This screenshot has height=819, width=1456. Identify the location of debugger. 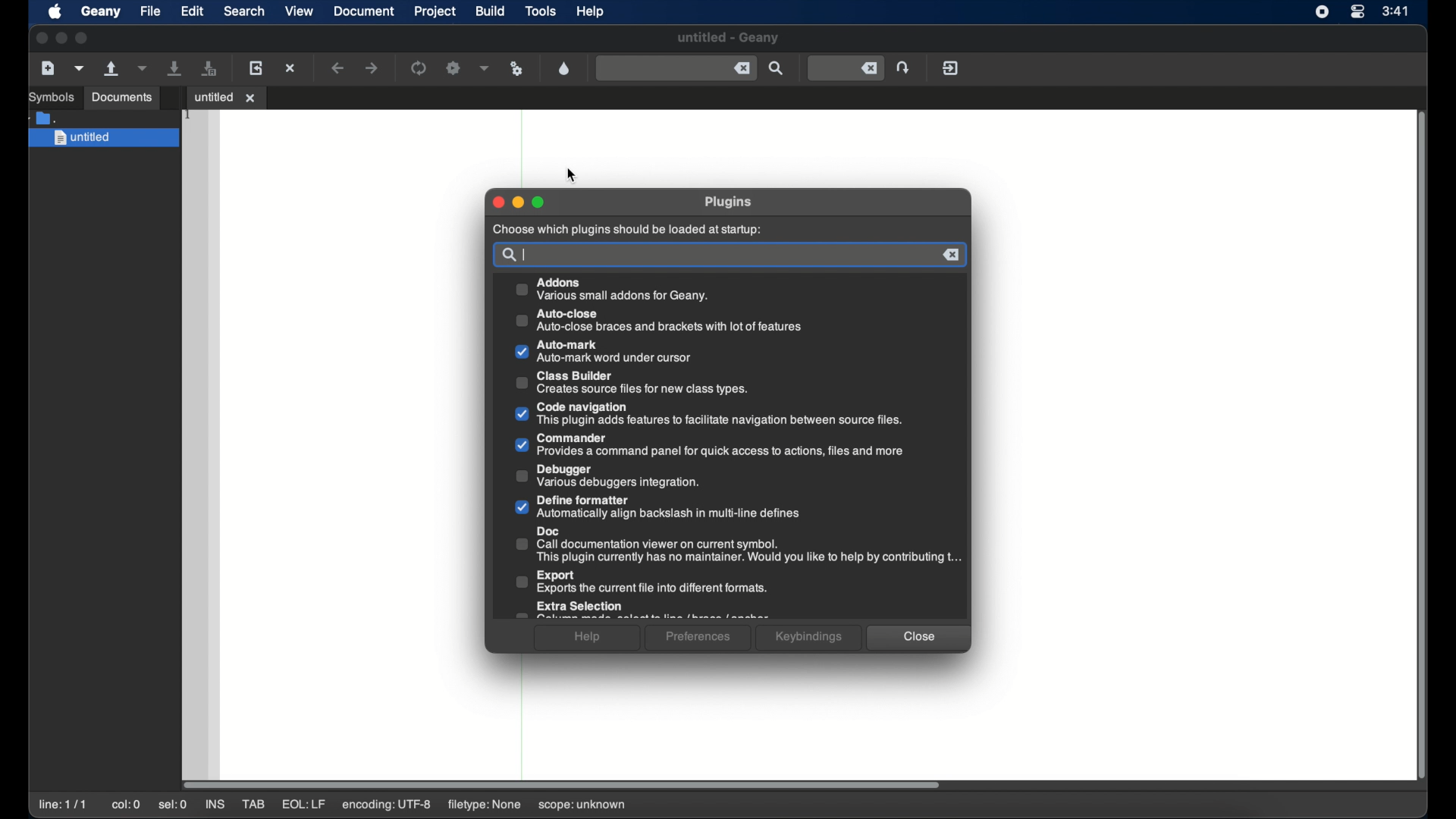
(605, 477).